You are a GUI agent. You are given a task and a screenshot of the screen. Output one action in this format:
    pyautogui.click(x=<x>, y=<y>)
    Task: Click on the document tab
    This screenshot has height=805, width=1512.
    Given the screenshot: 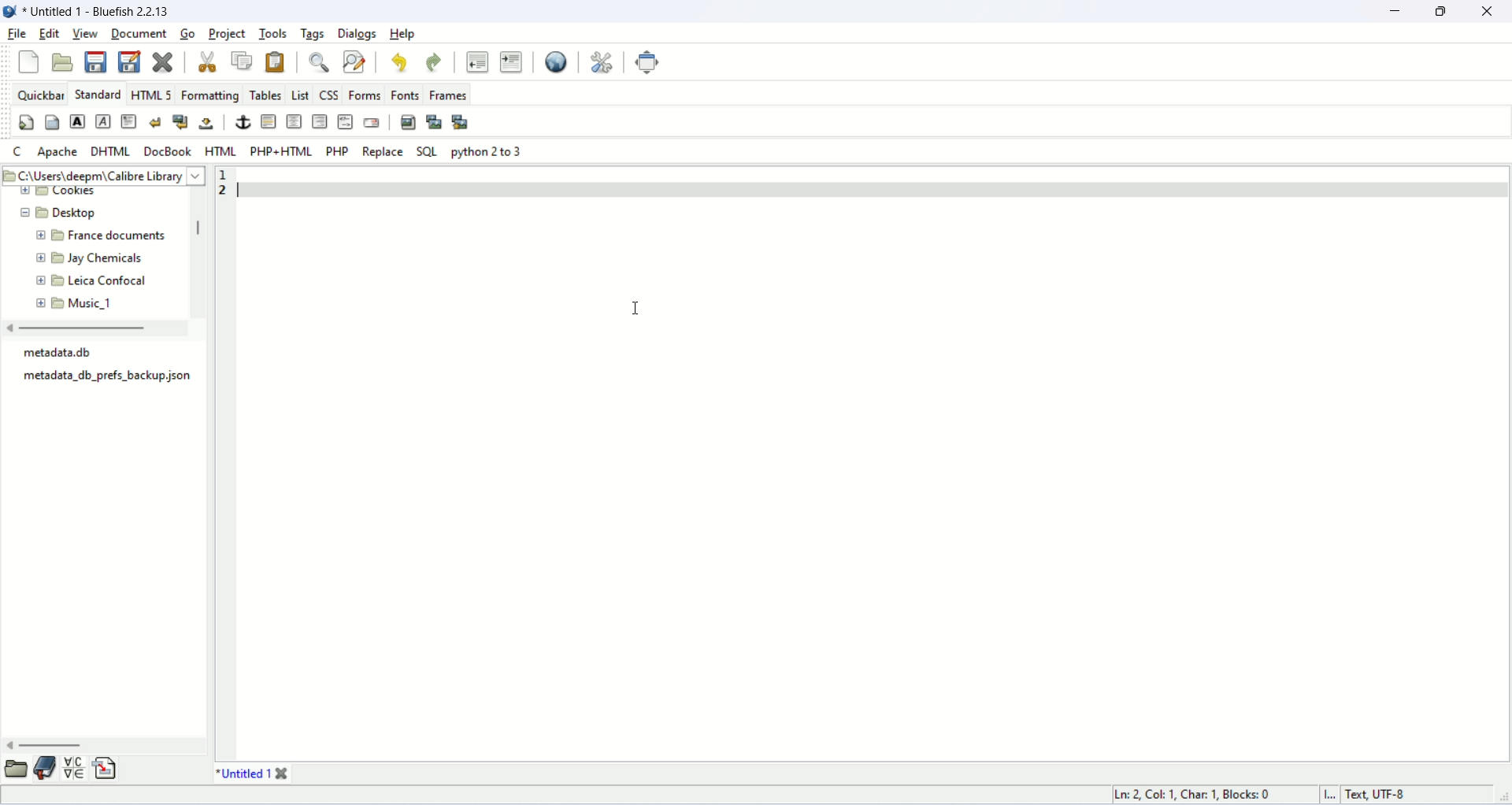 What is the action you would take?
    pyautogui.click(x=242, y=774)
    